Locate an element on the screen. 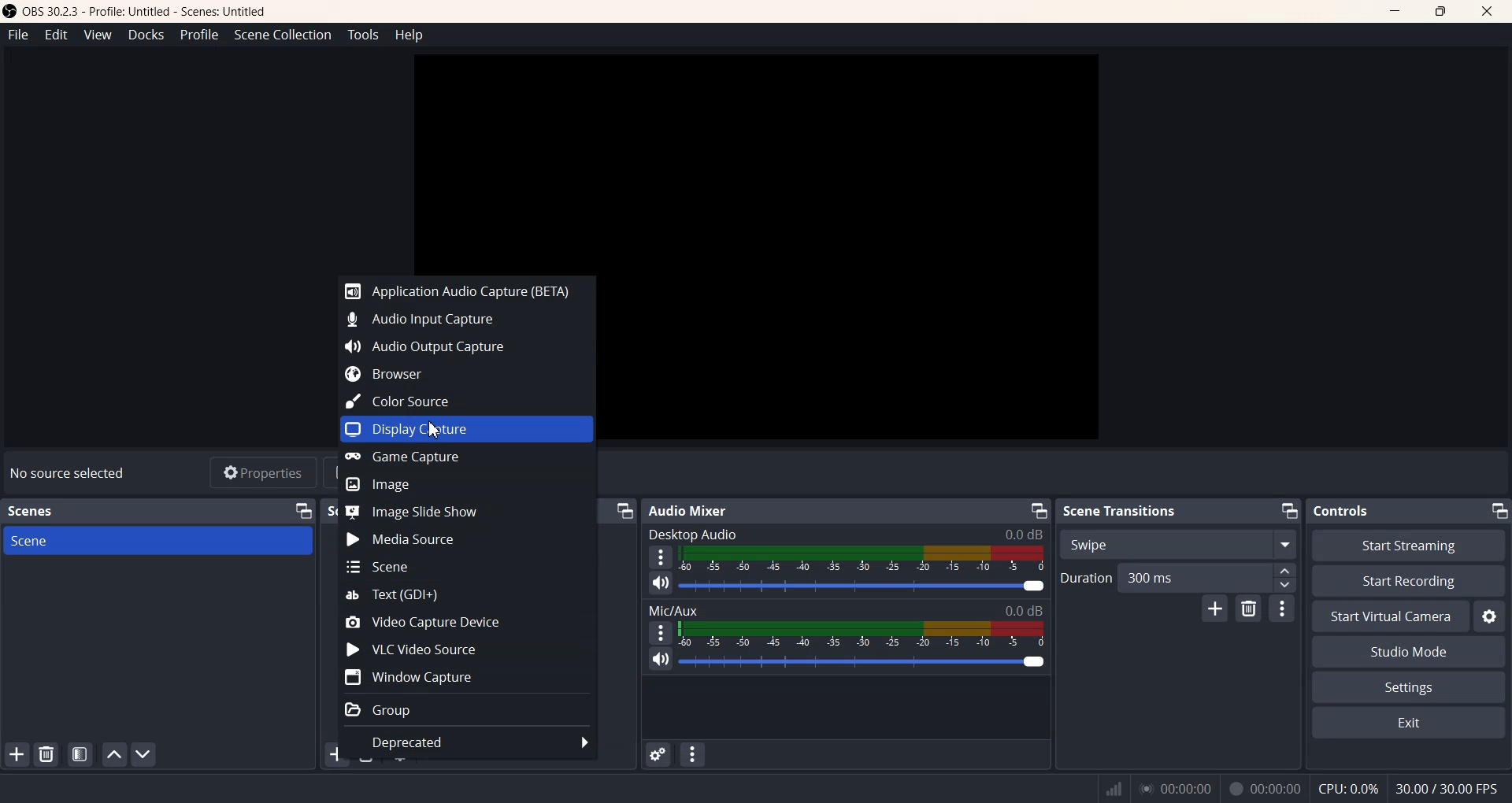 The image size is (1512, 803). Studio Mode is located at coordinates (1407, 653).